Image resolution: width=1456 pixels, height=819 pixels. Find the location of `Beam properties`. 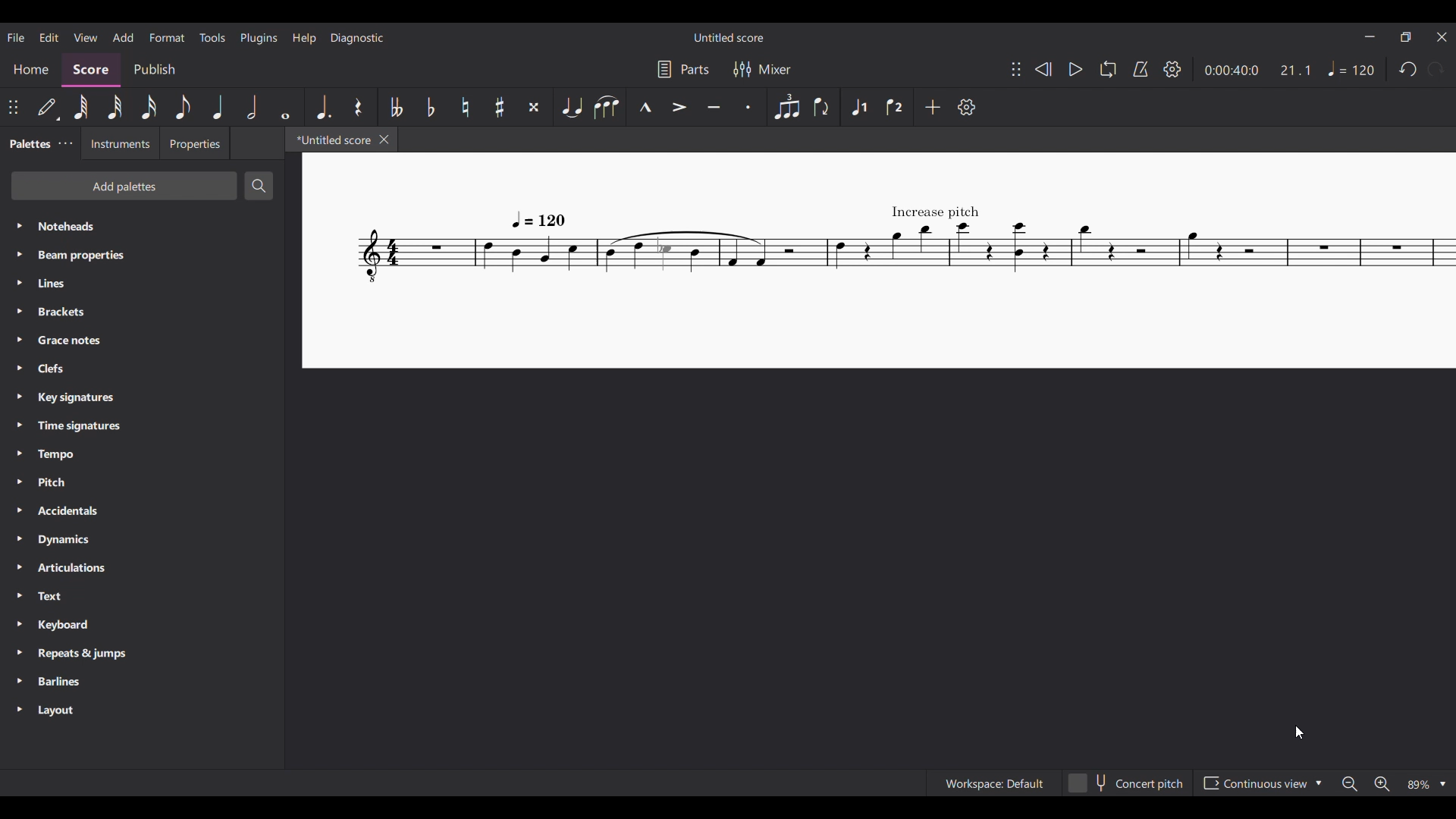

Beam properties is located at coordinates (143, 256).